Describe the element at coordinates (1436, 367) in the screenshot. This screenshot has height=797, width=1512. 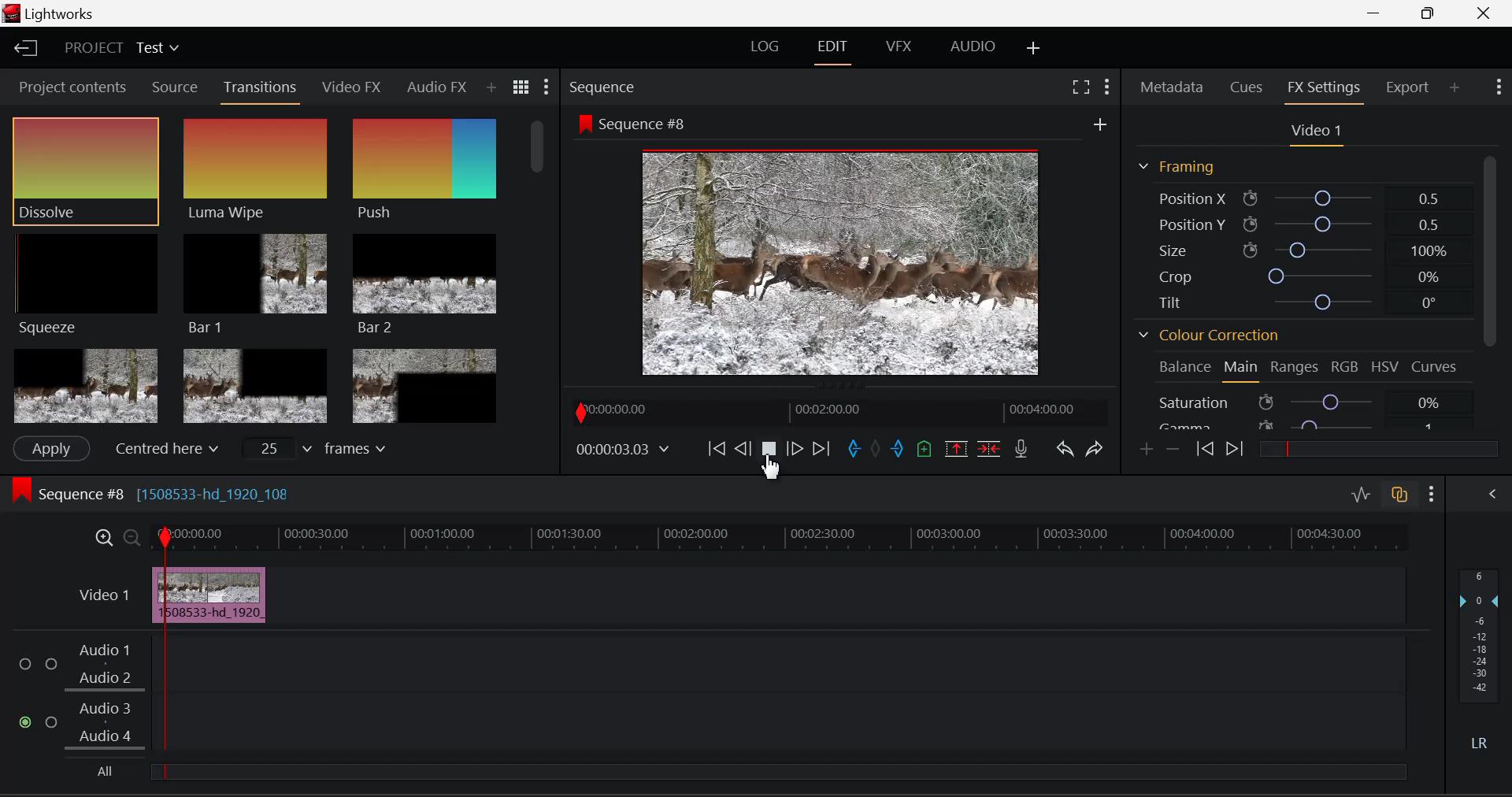
I see `Curves` at that location.